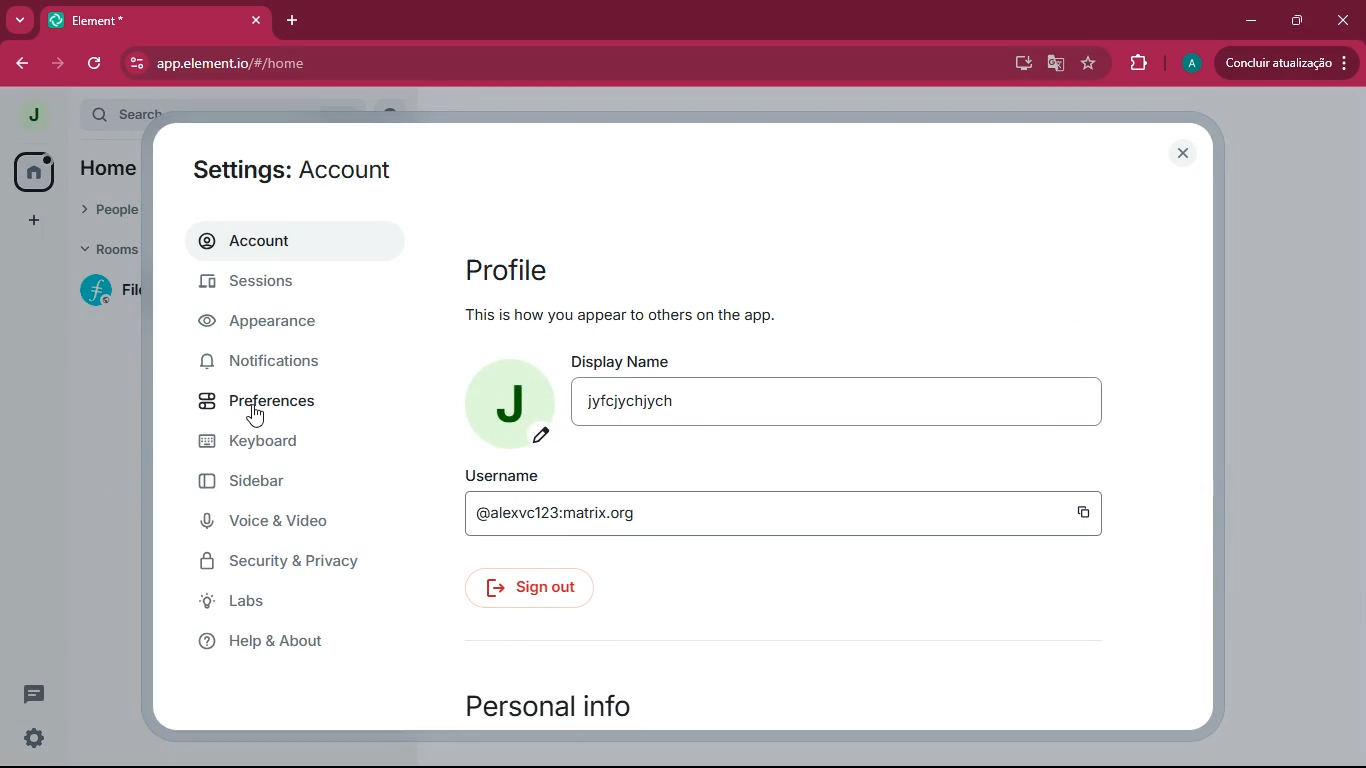  Describe the element at coordinates (256, 21) in the screenshot. I see `close tab` at that location.